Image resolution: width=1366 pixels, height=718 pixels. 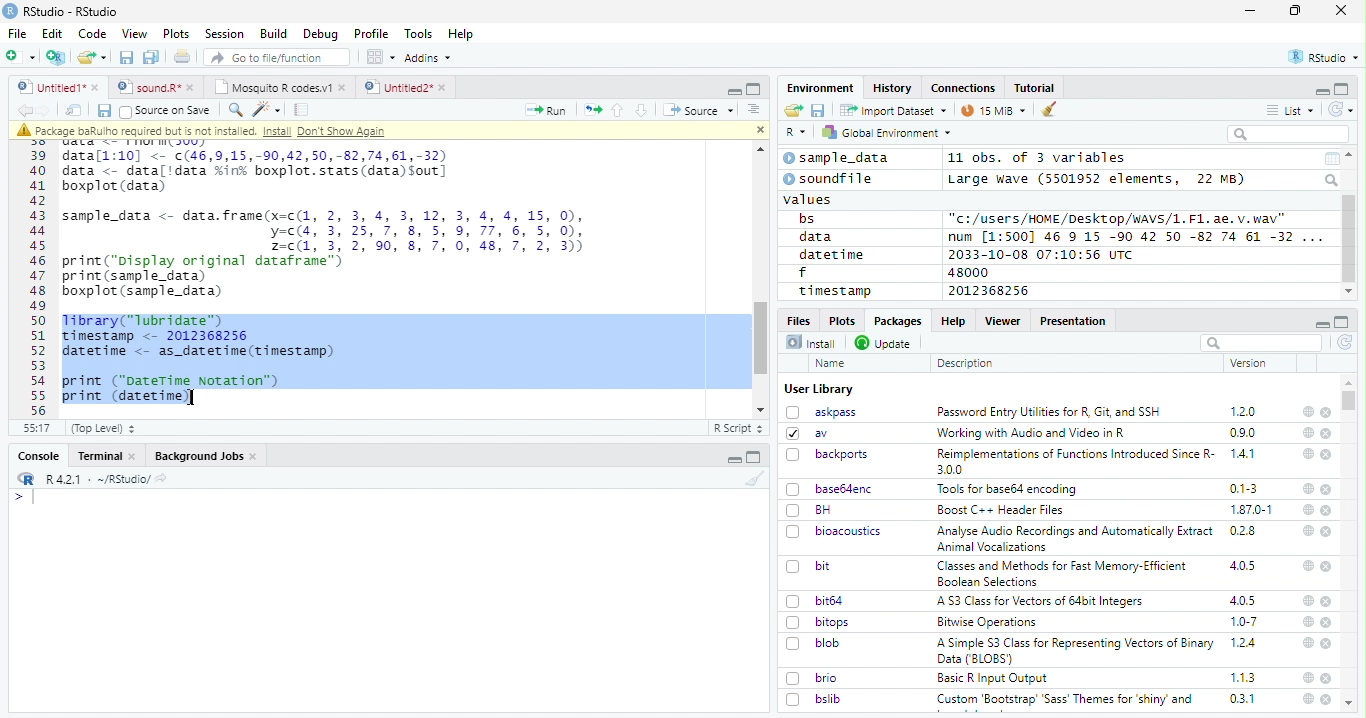 I want to click on minimize, so click(x=1321, y=90).